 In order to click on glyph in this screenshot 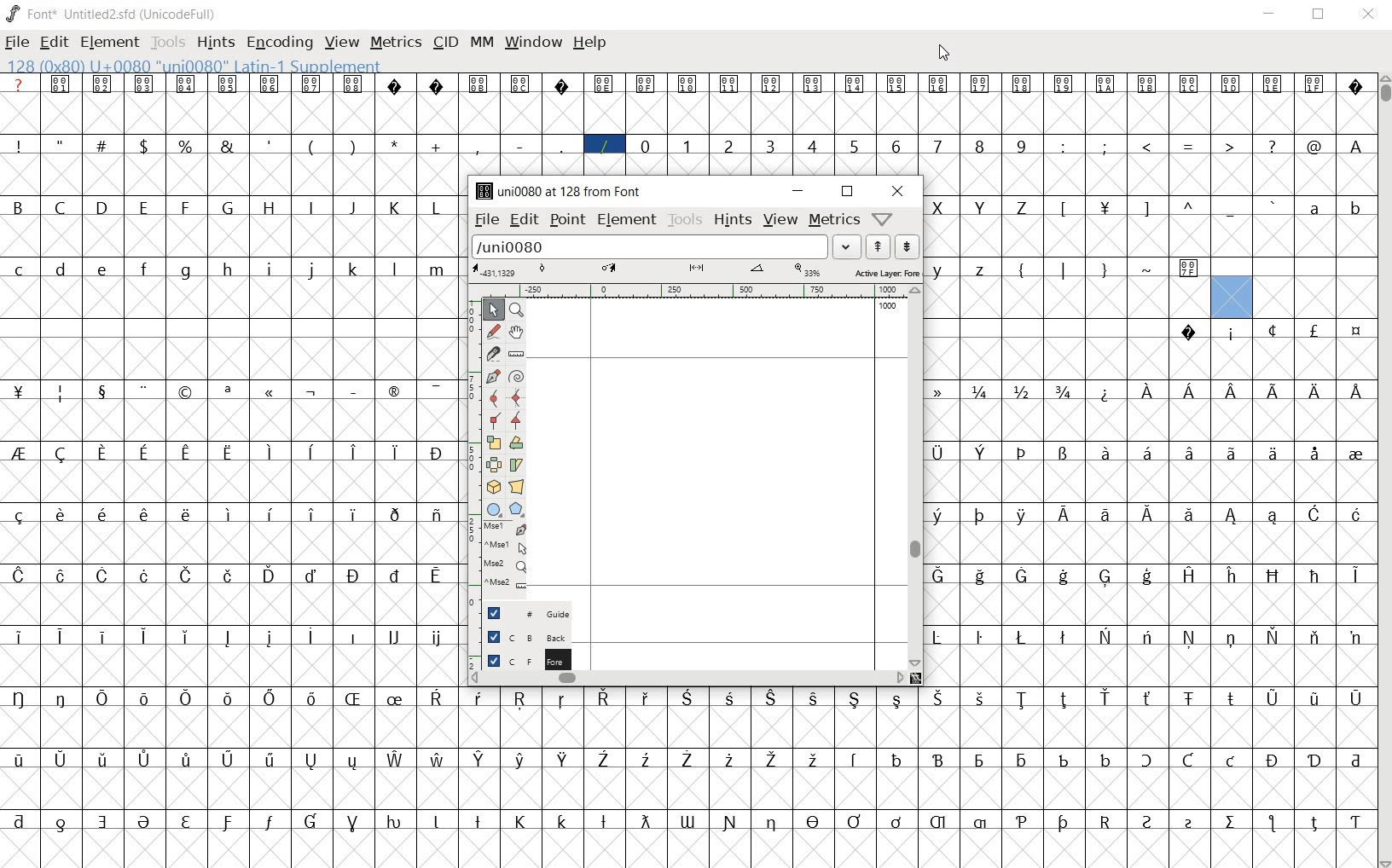, I will do `click(936, 516)`.